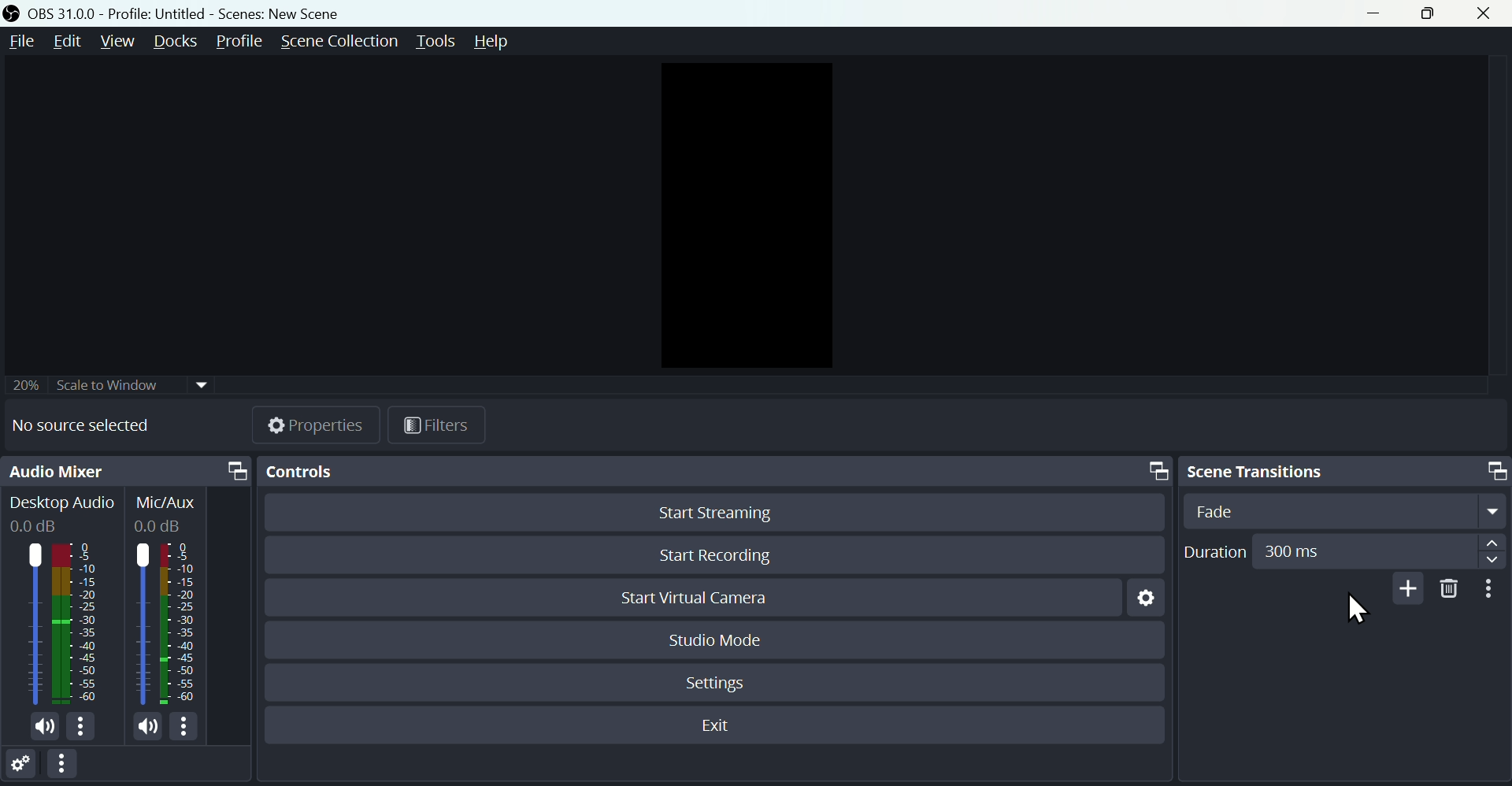  I want to click on Controls, so click(714, 473).